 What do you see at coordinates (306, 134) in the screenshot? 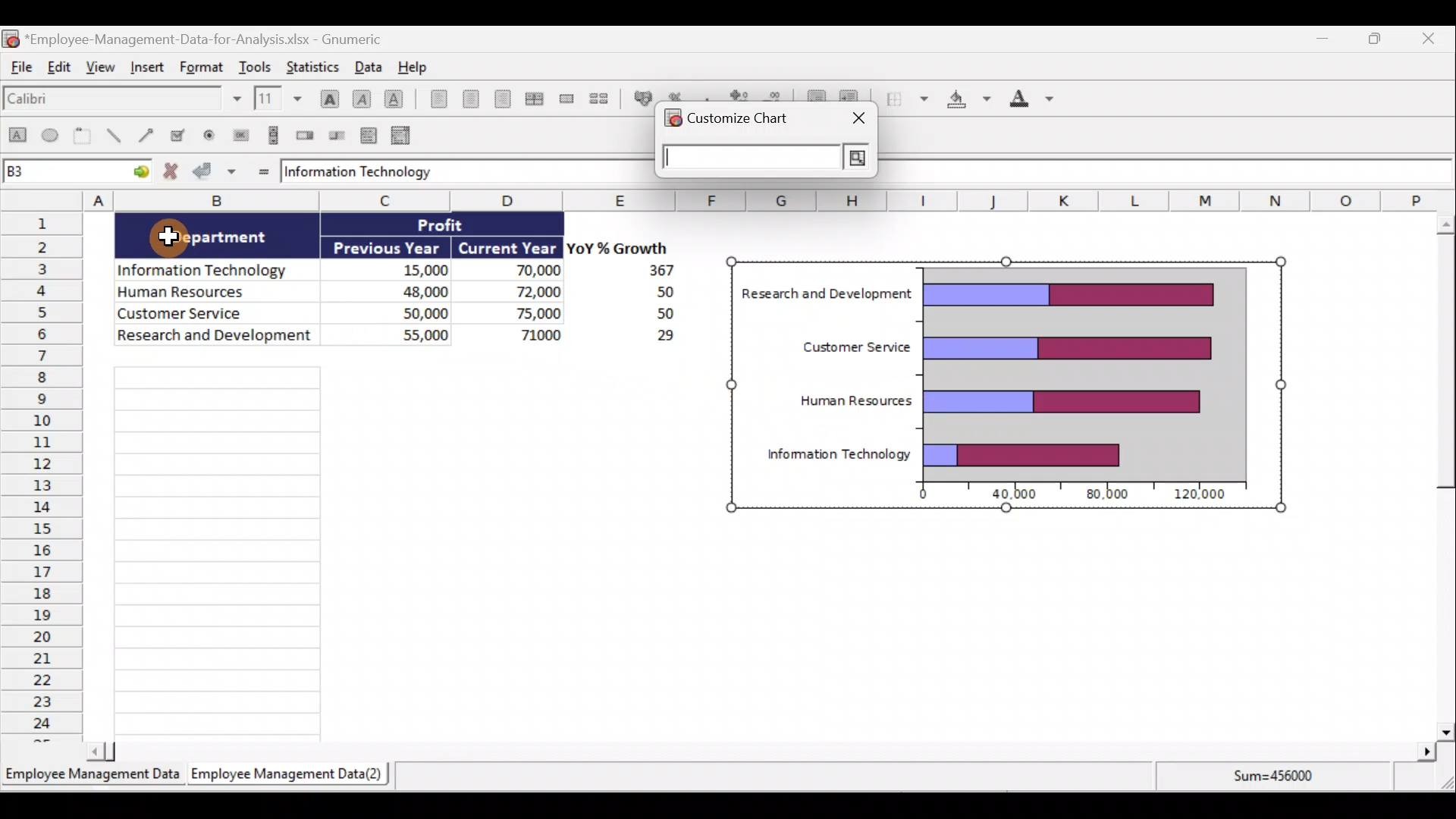
I see `Create a spin button` at bounding box center [306, 134].